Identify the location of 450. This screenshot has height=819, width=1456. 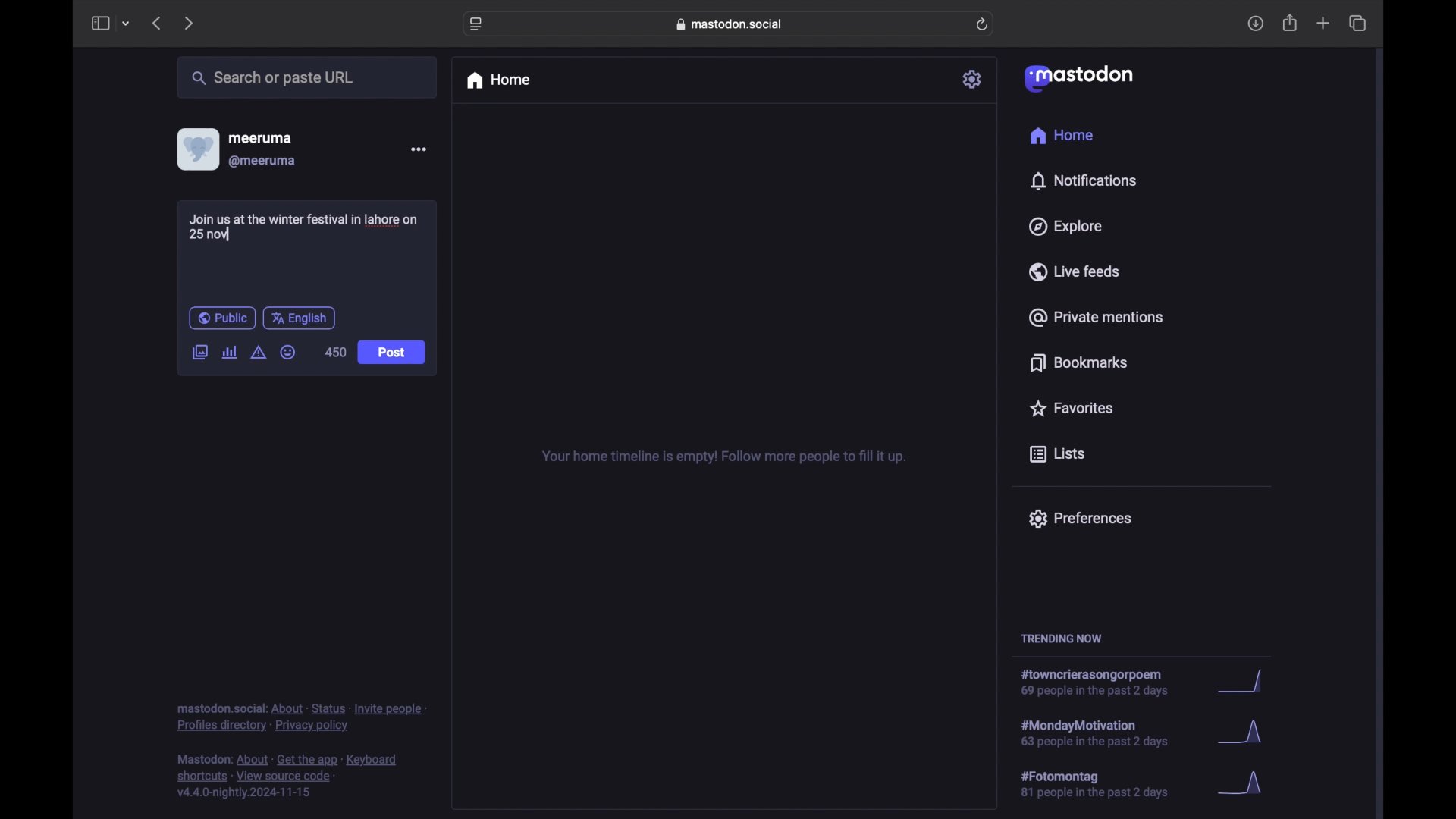
(336, 353).